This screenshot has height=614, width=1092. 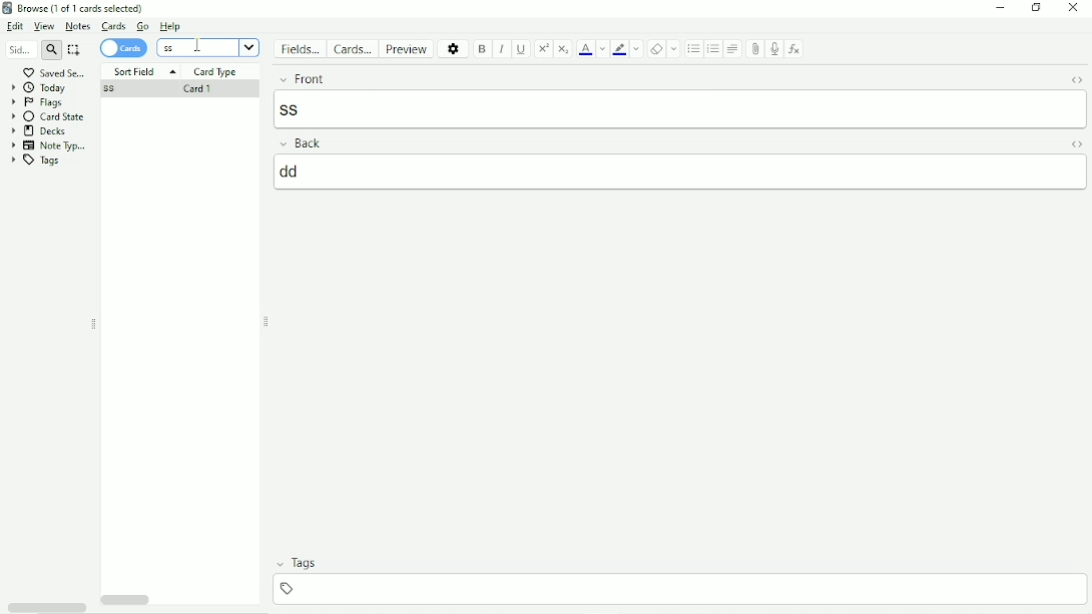 I want to click on Change color, so click(x=638, y=49).